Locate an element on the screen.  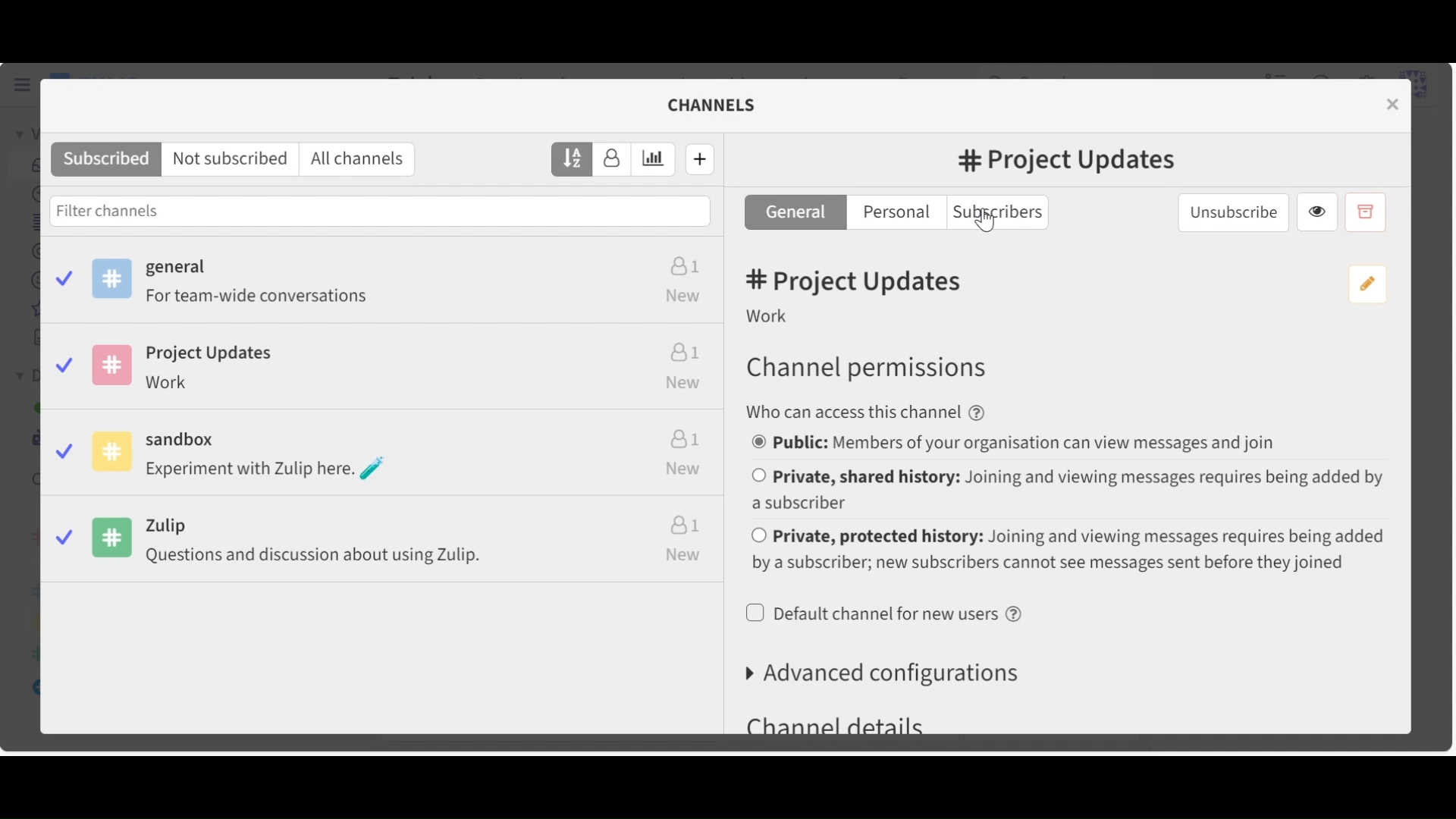
Channel name is located at coordinates (858, 282).